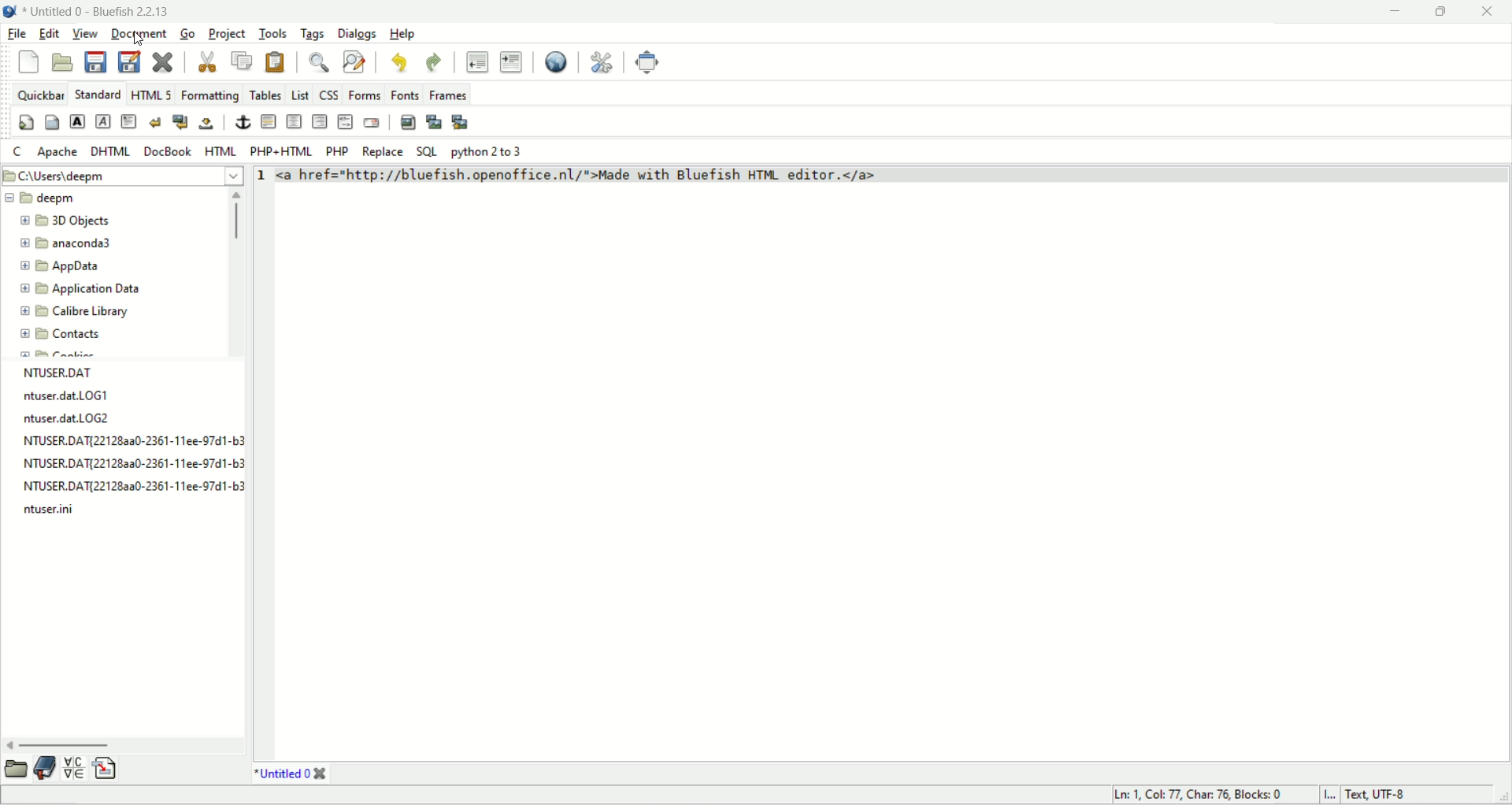  I want to click on contacts, so click(58, 337).